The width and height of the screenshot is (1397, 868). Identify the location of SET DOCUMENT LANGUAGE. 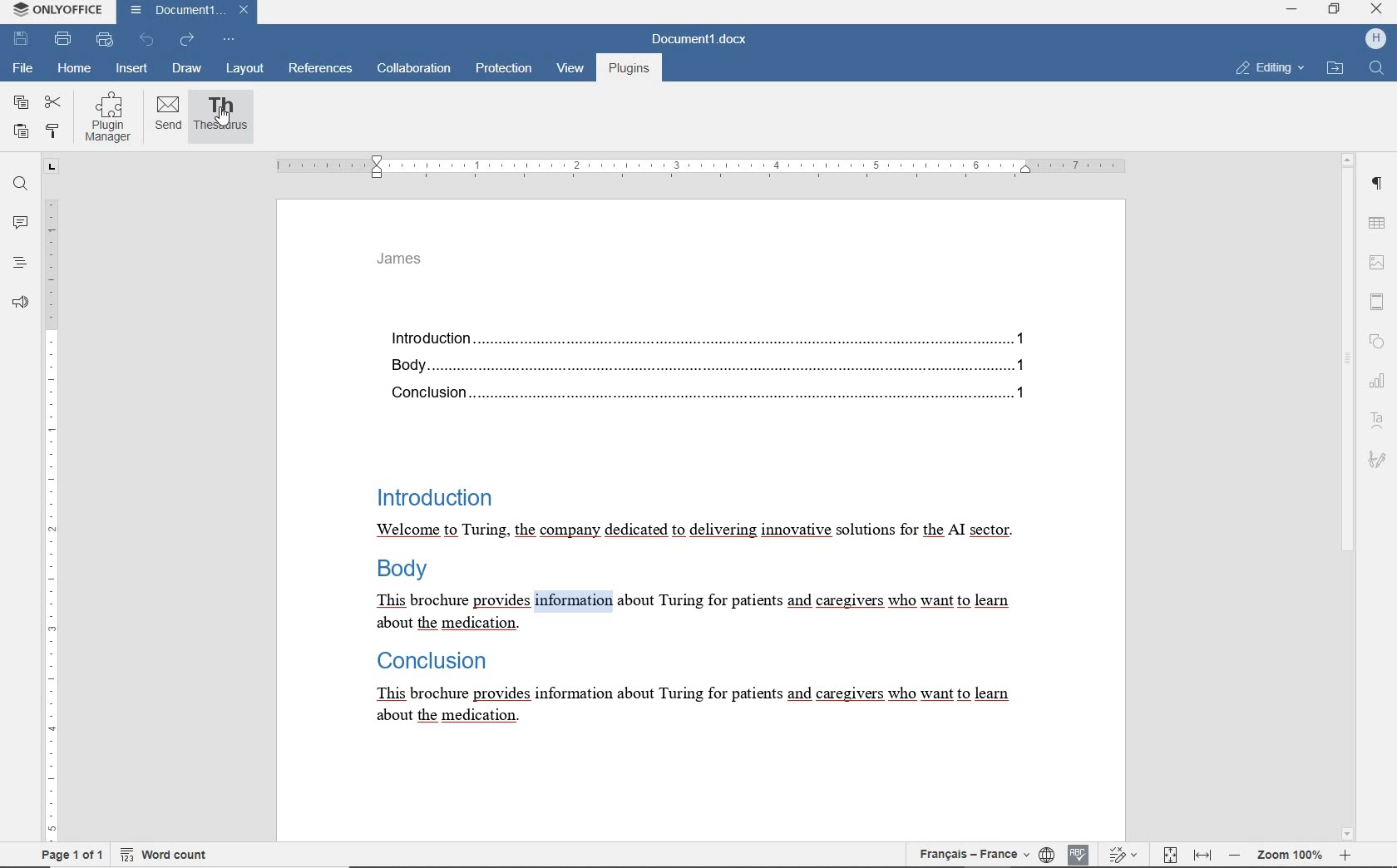
(1049, 854).